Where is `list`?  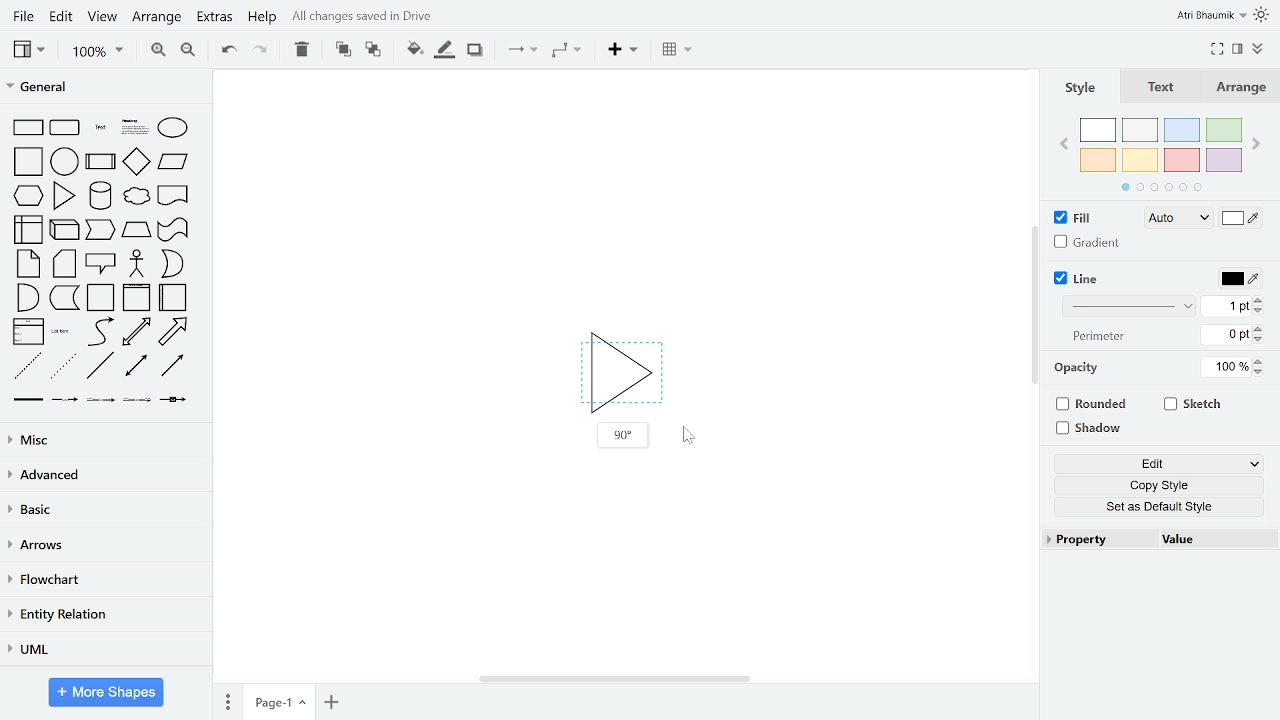 list is located at coordinates (27, 333).